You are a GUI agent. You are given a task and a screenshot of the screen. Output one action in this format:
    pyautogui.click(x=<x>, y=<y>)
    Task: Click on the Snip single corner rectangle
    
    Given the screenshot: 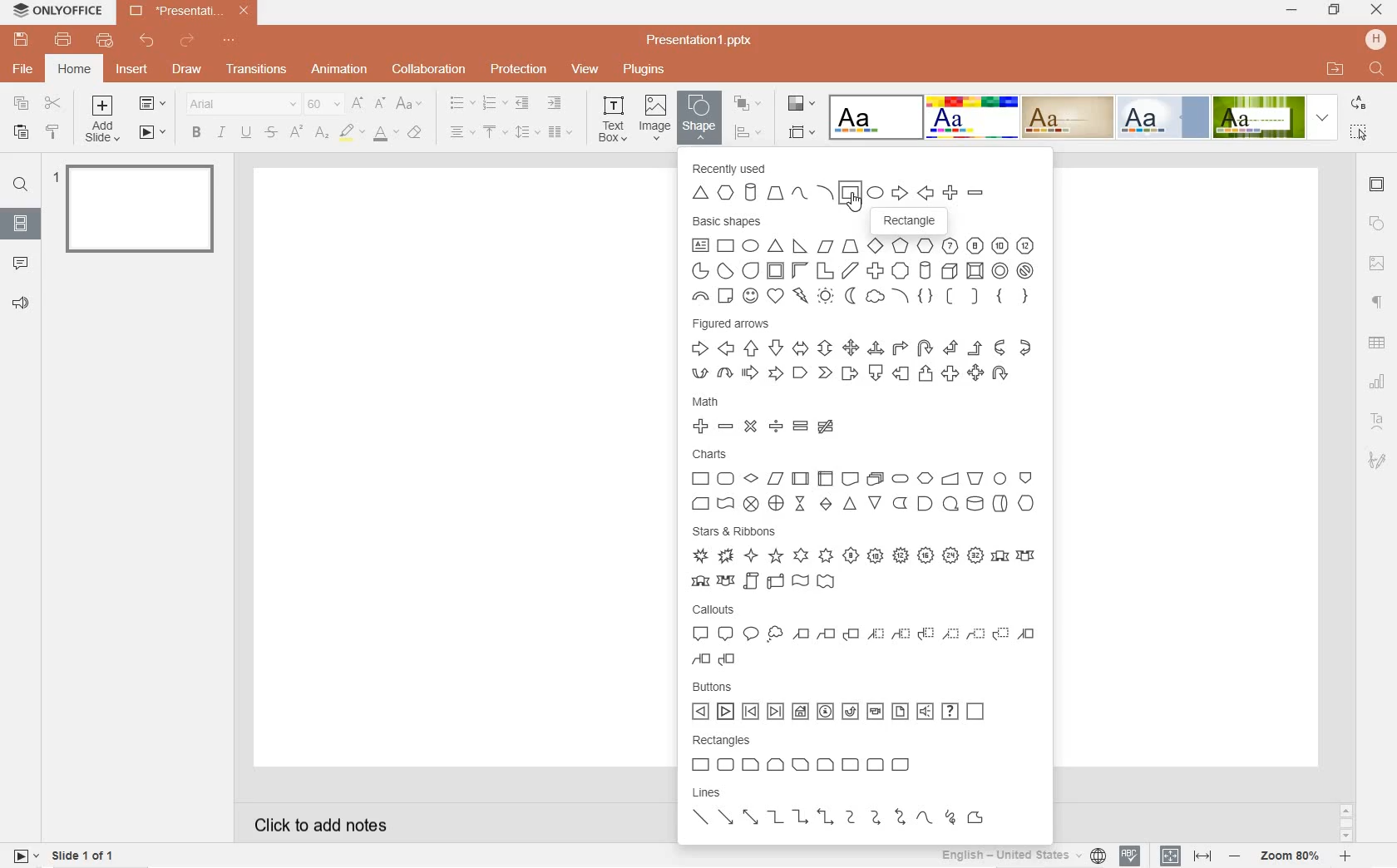 What is the action you would take?
    pyautogui.click(x=751, y=762)
    